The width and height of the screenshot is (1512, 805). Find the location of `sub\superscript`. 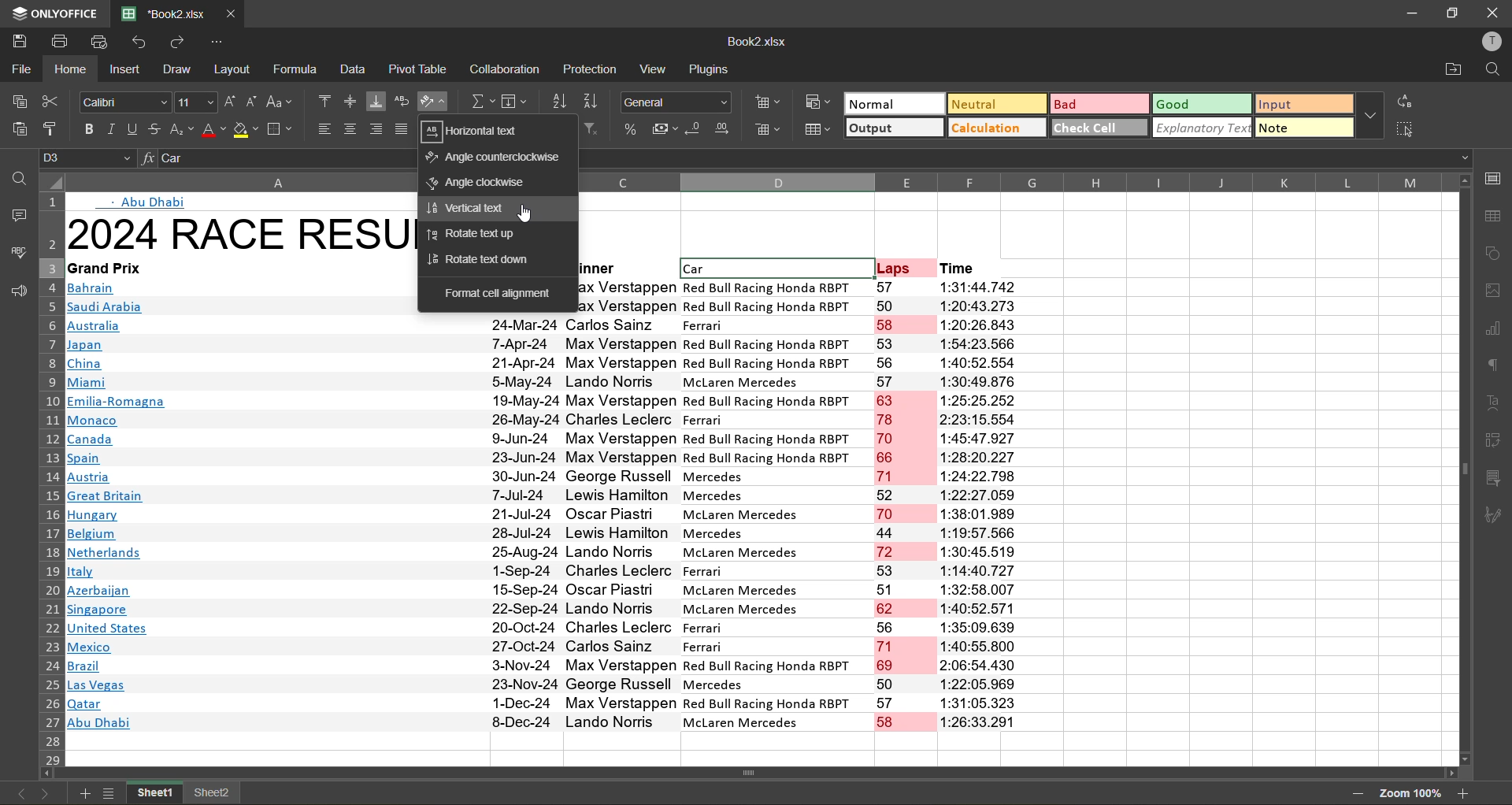

sub\superscript is located at coordinates (182, 132).